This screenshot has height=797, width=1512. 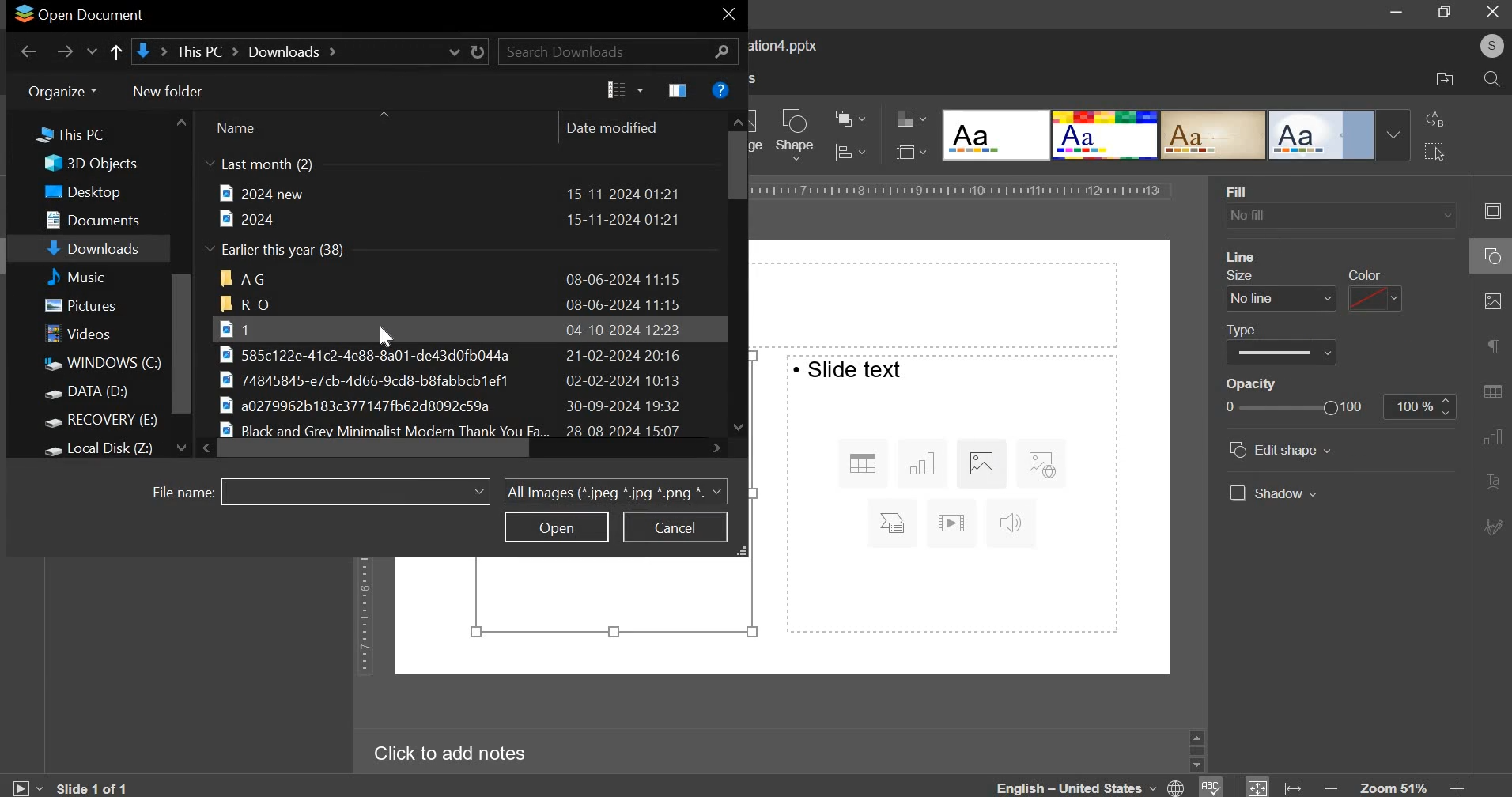 What do you see at coordinates (1491, 81) in the screenshot?
I see `search` at bounding box center [1491, 81].